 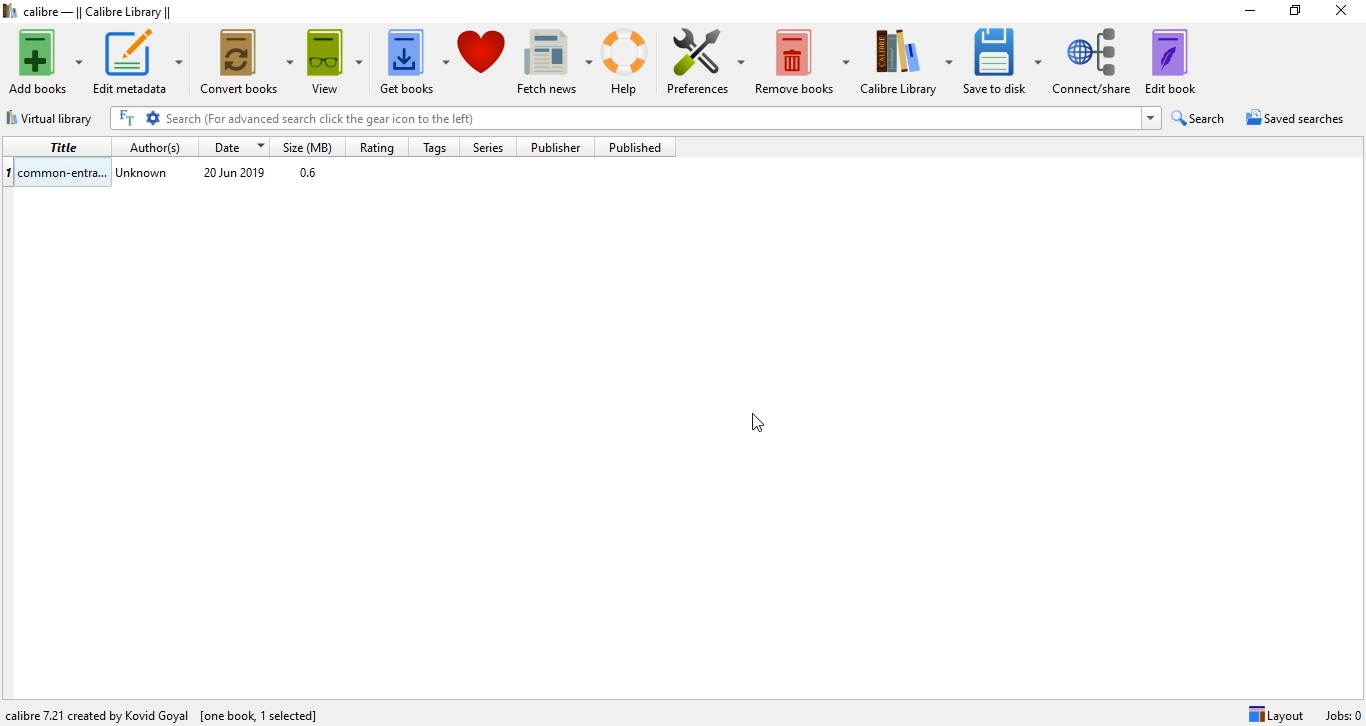 What do you see at coordinates (412, 59) in the screenshot?
I see `Get books` at bounding box center [412, 59].